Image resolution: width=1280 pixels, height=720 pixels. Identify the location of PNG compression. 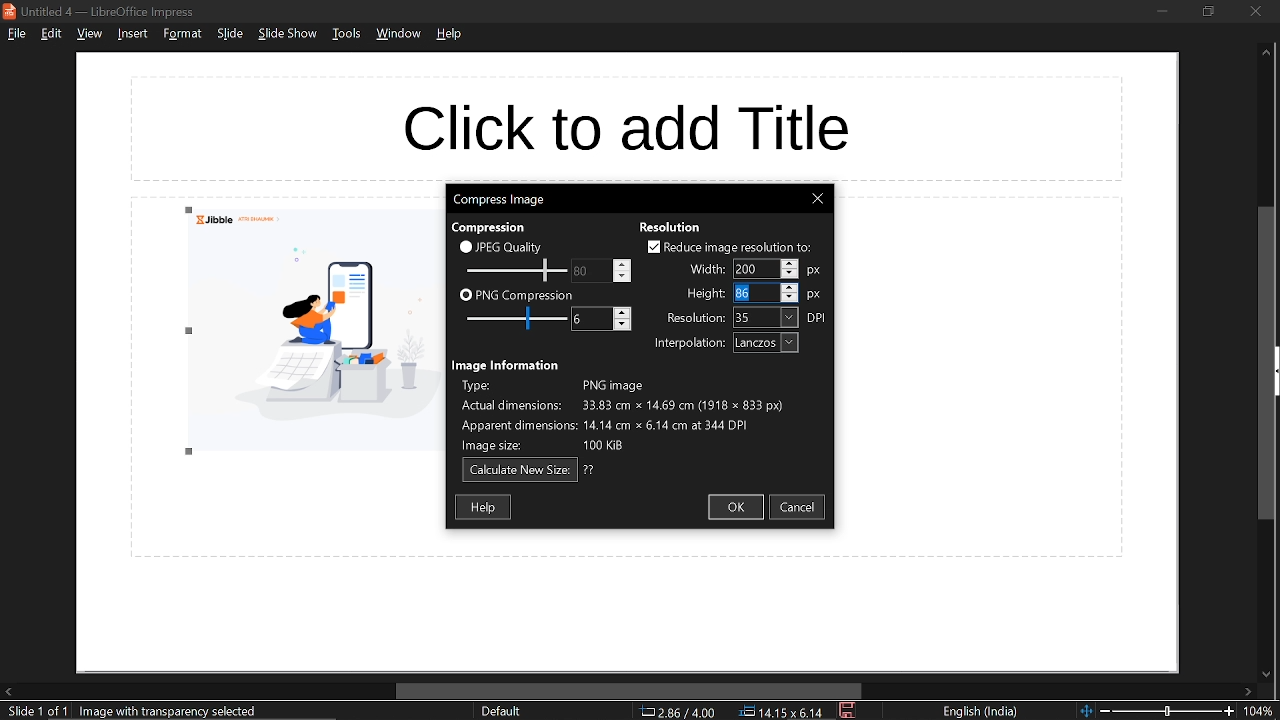
(516, 296).